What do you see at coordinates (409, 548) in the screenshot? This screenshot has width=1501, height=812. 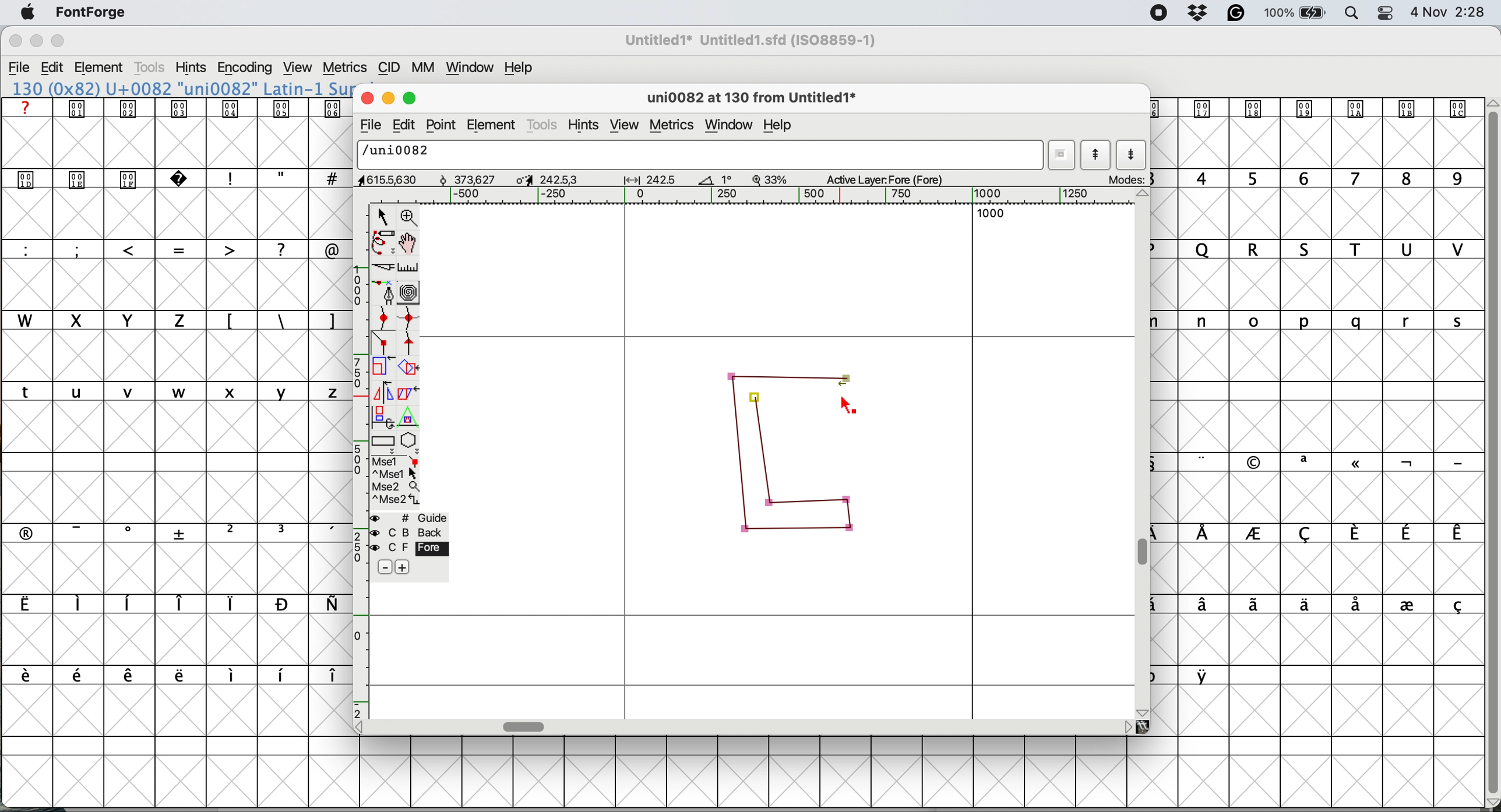 I see `fore` at bounding box center [409, 548].